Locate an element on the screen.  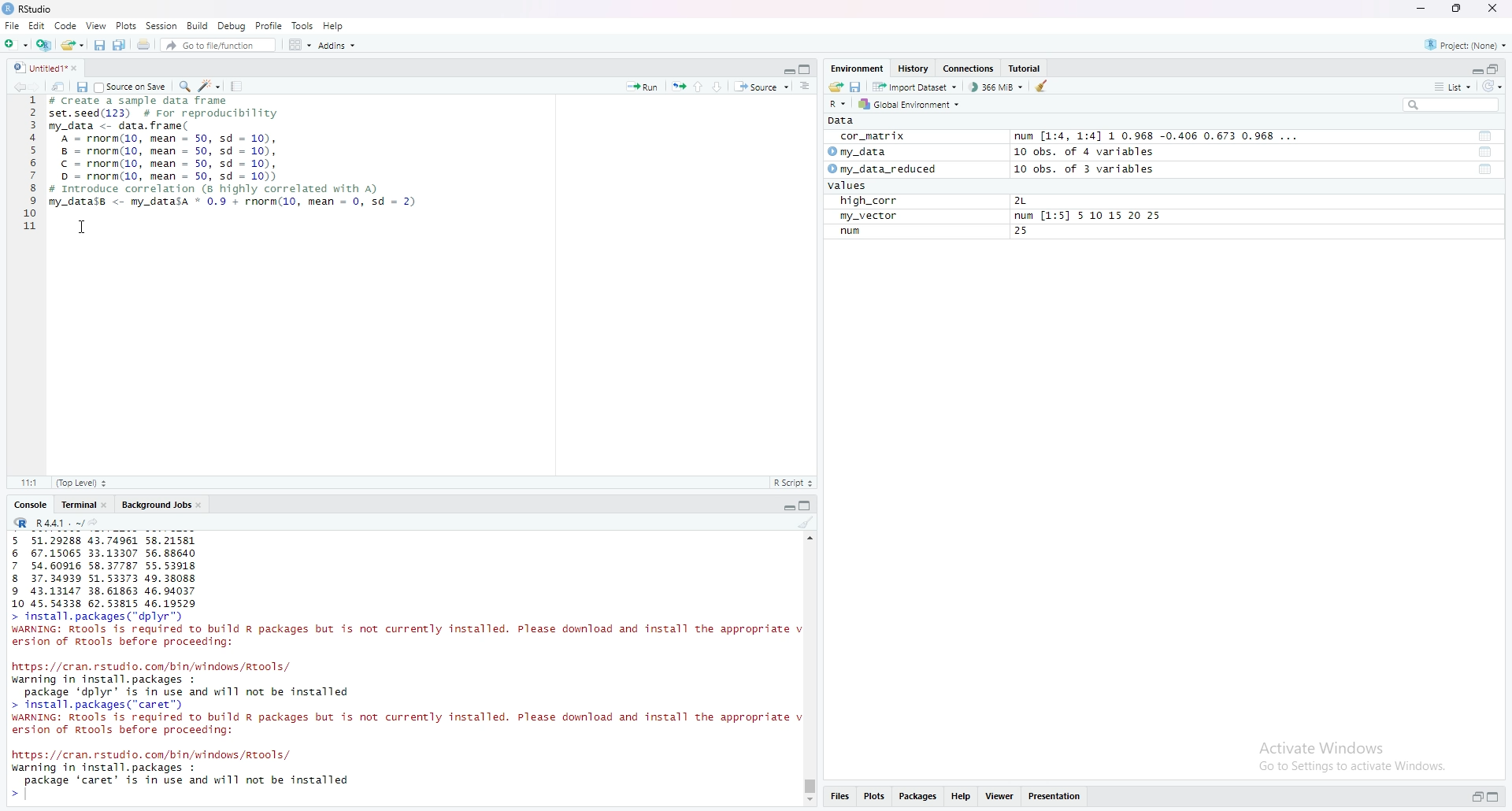
R is located at coordinates (838, 104).